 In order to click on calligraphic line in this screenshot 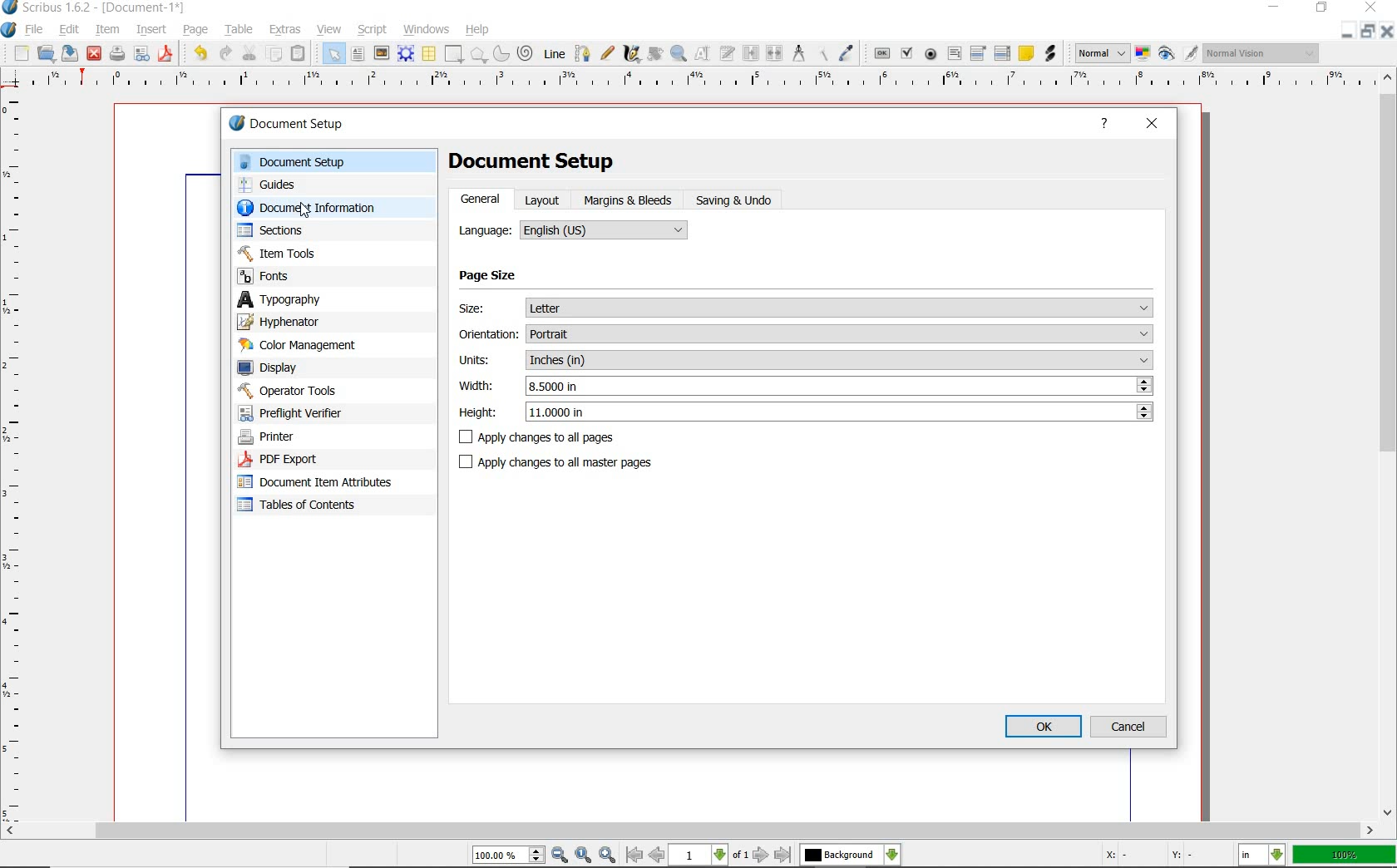, I will do `click(632, 55)`.